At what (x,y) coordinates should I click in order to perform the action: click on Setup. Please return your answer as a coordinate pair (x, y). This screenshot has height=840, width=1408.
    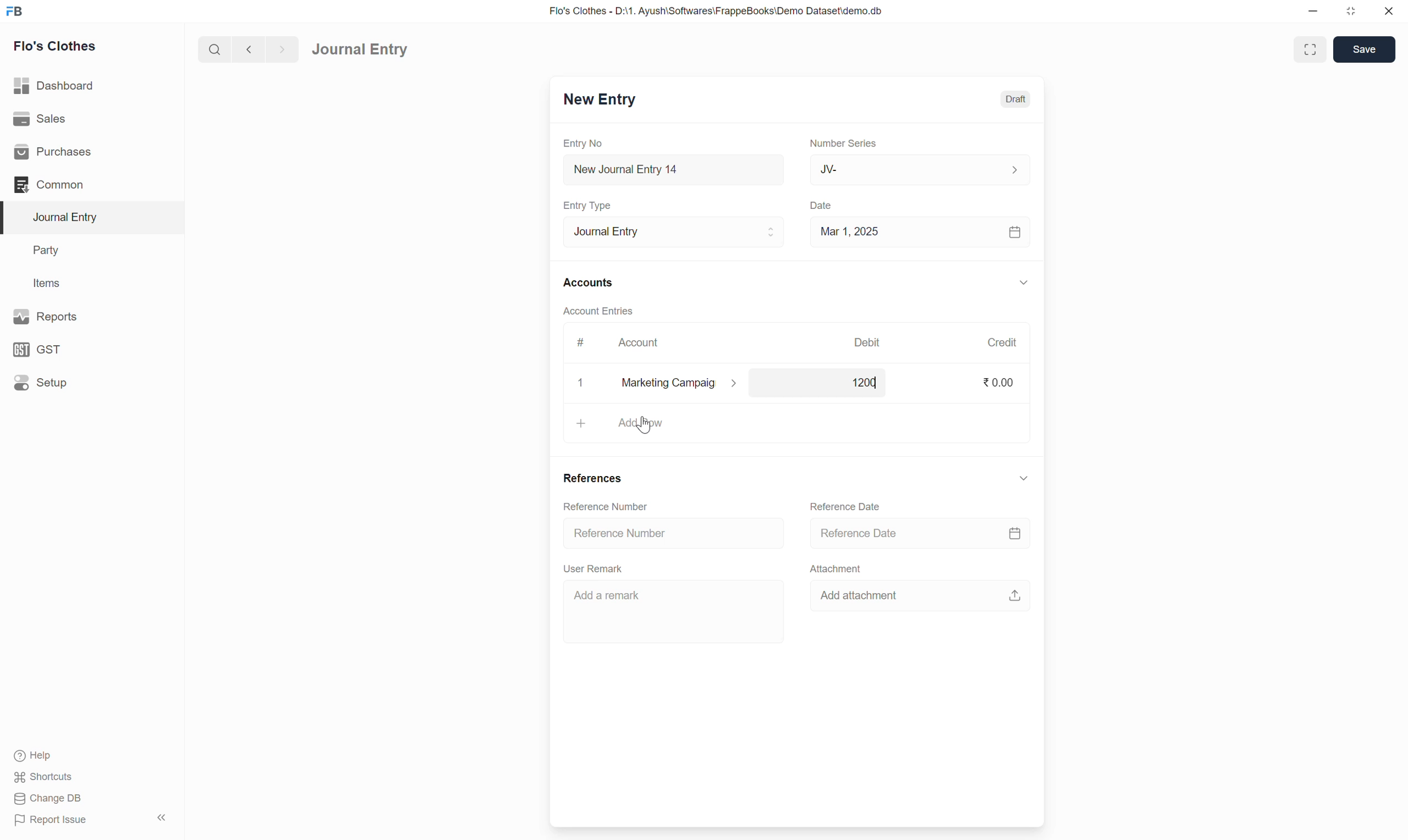
    Looking at the image, I should click on (41, 382).